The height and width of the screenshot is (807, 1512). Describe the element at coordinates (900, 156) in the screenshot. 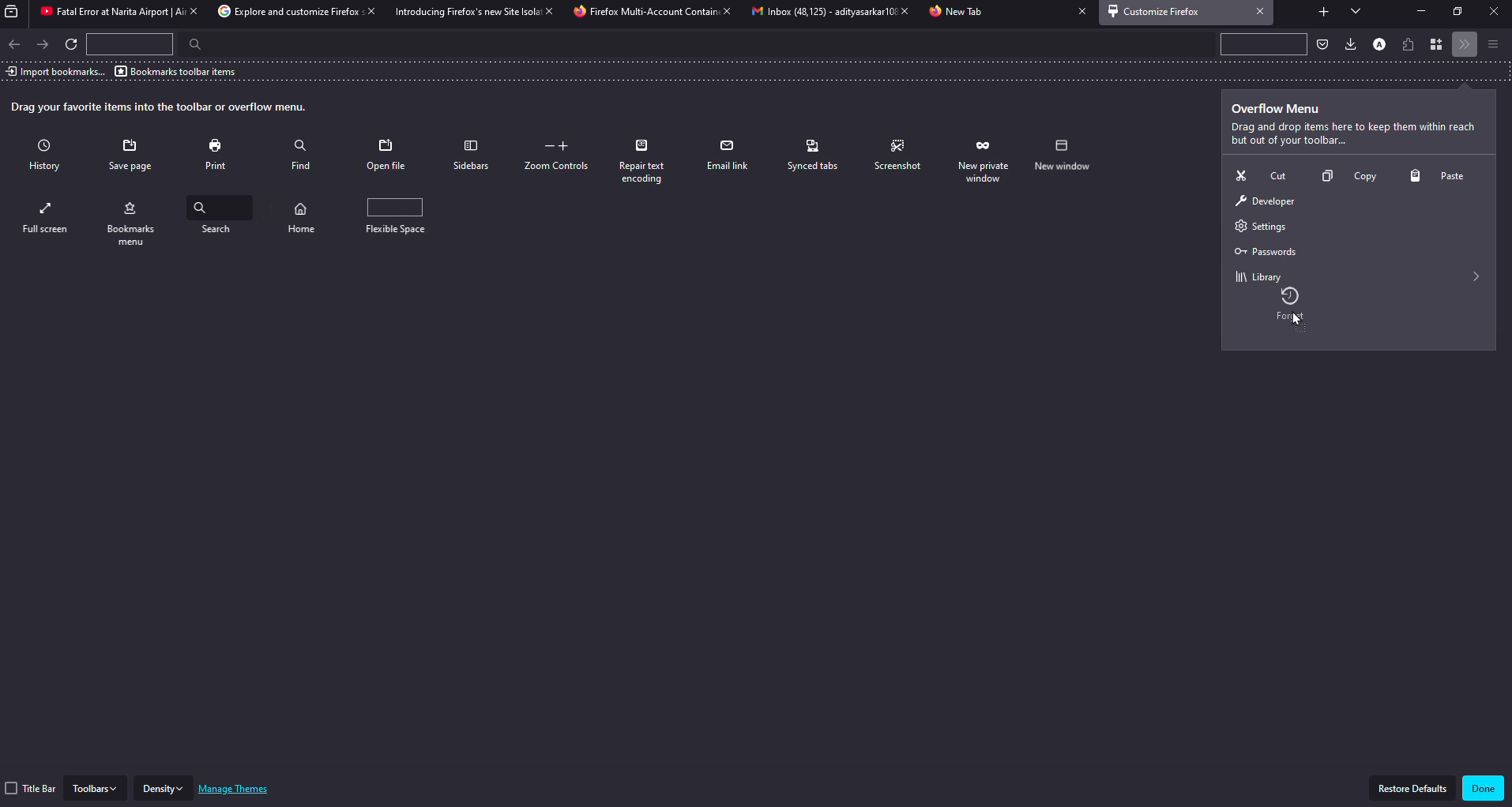

I see `screenshot` at that location.